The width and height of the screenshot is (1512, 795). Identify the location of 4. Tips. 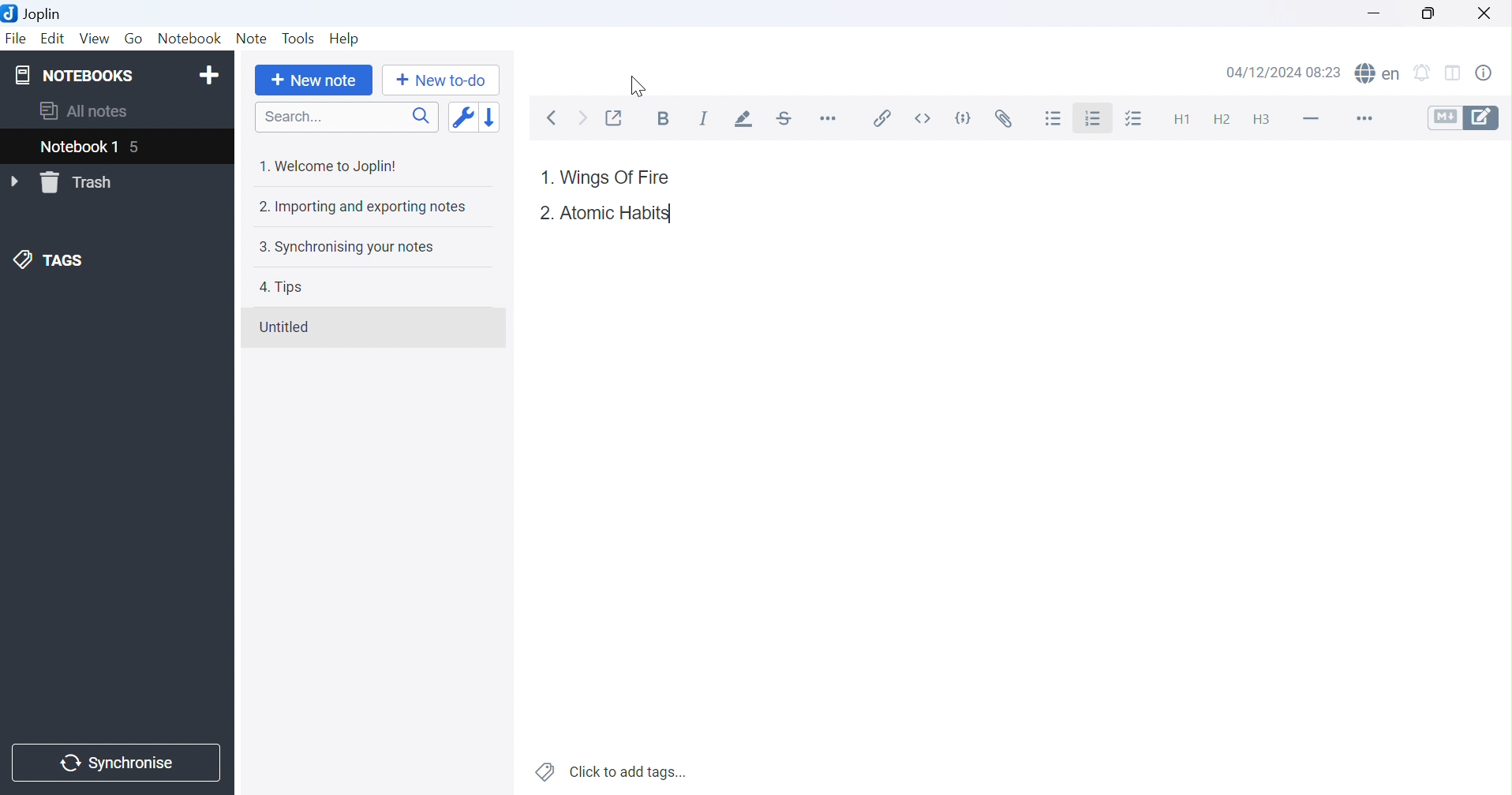
(281, 287).